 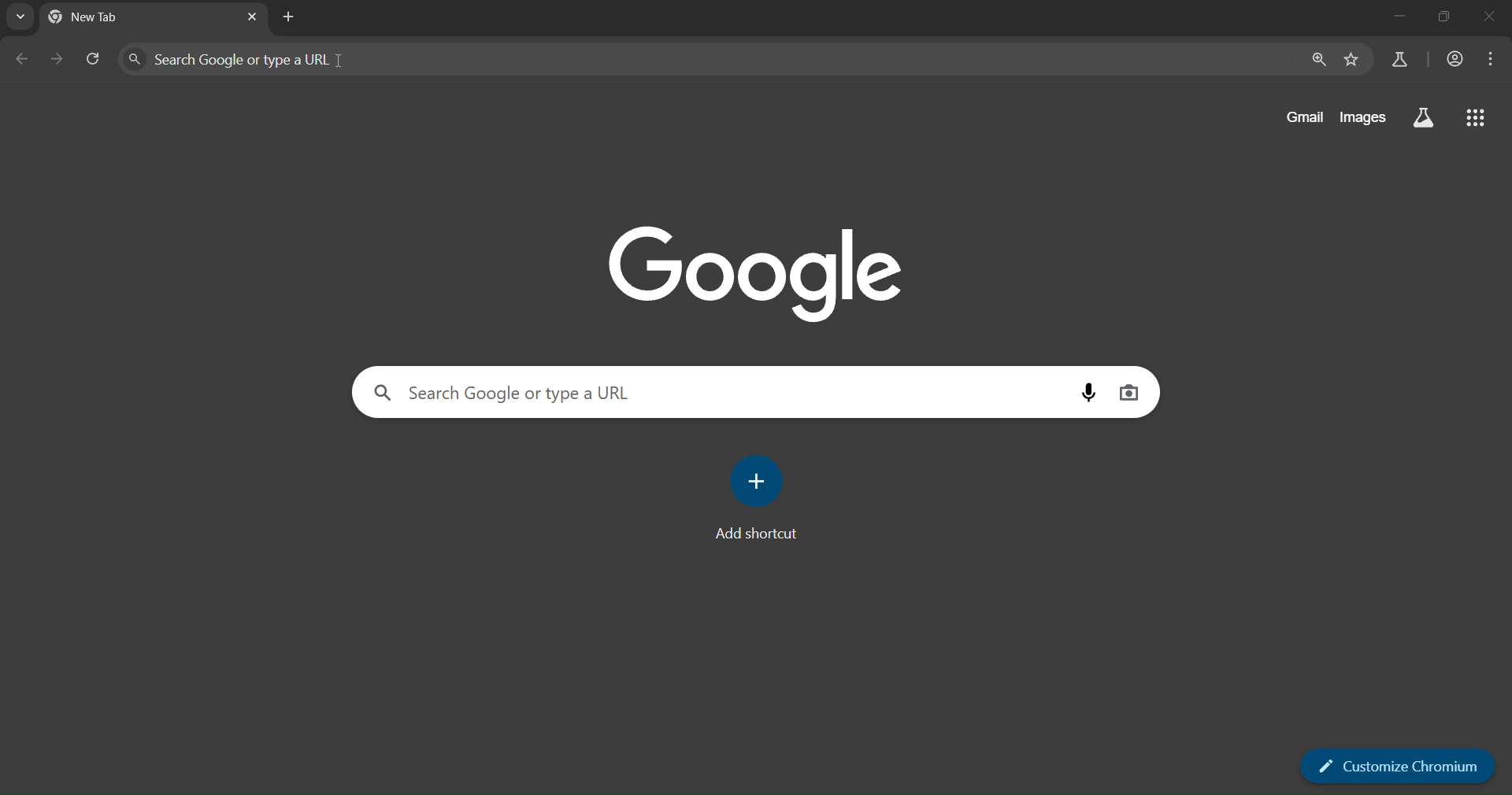 I want to click on current tab, so click(x=99, y=19).